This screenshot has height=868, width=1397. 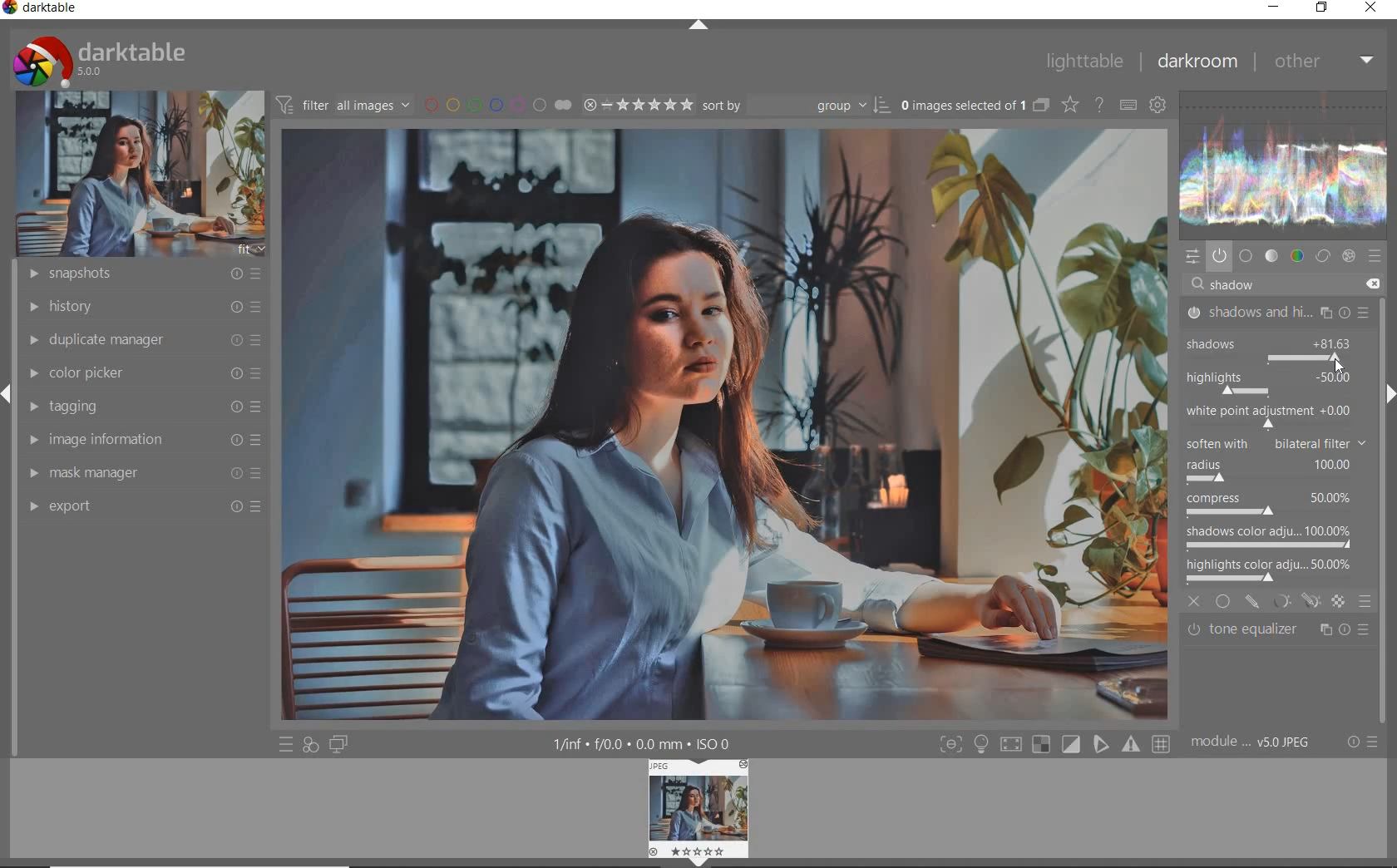 I want to click on radius, so click(x=1268, y=471).